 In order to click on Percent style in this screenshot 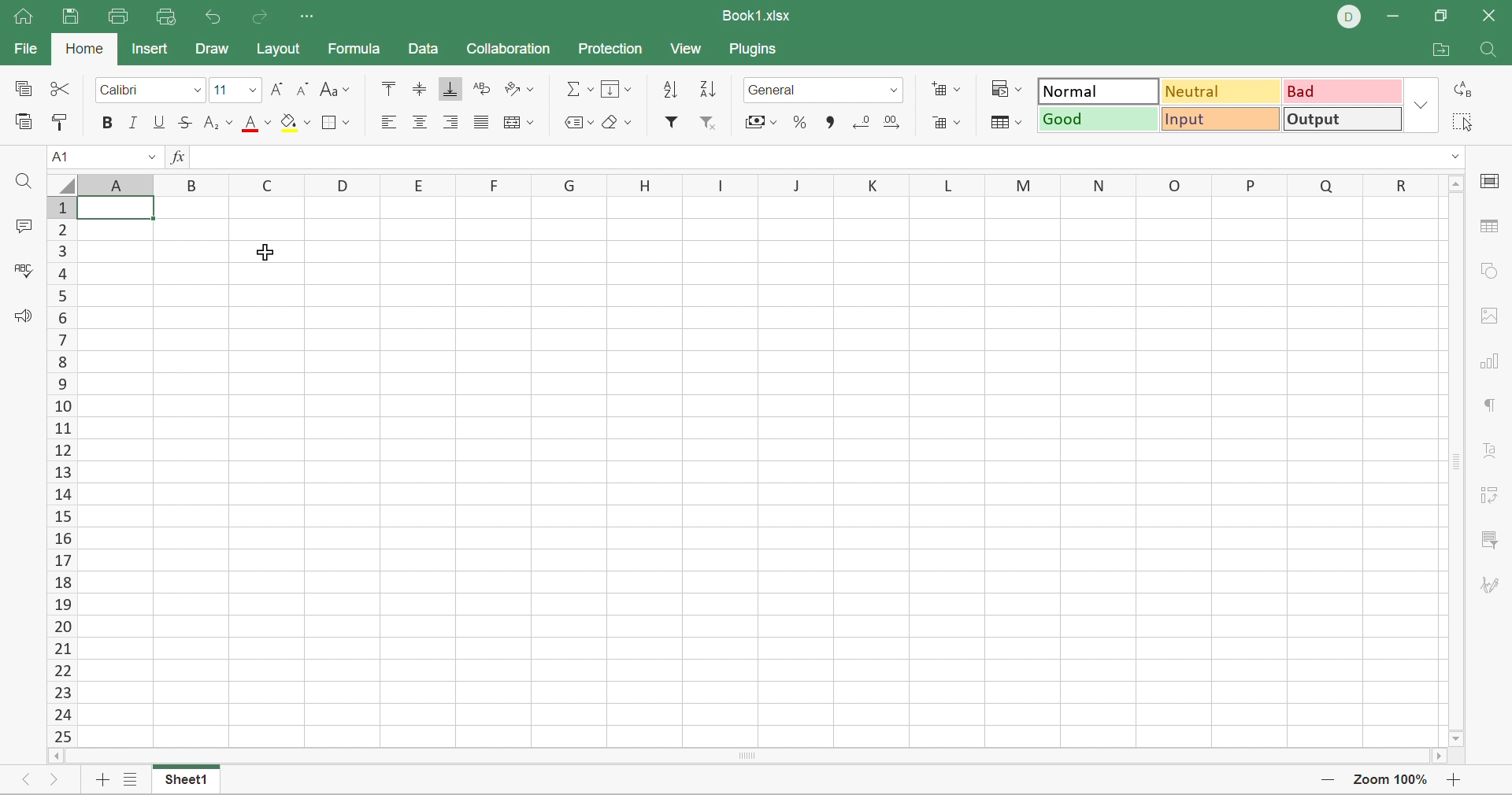, I will do `click(799, 120)`.